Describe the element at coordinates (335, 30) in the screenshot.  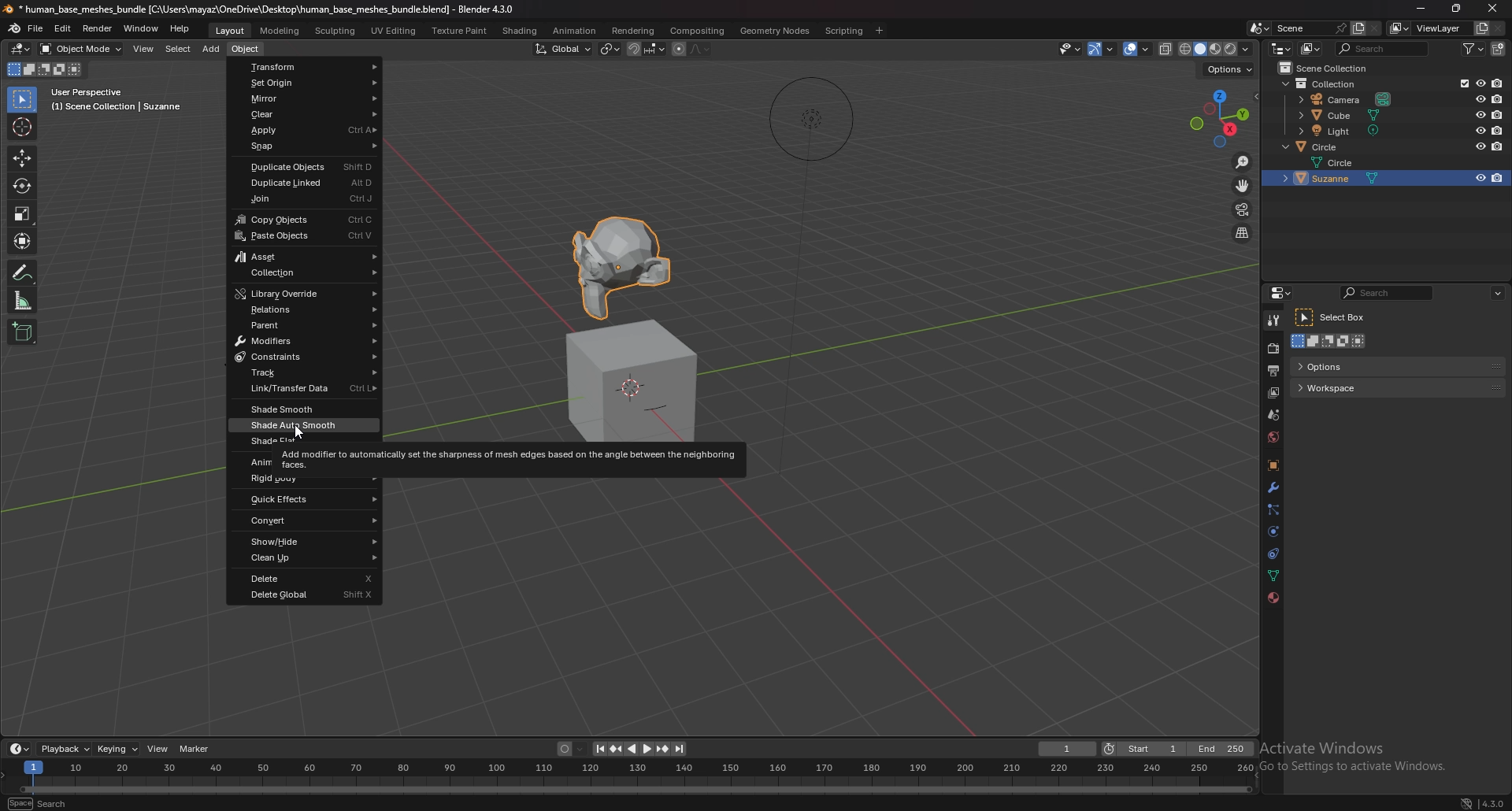
I see `sculpting` at that location.